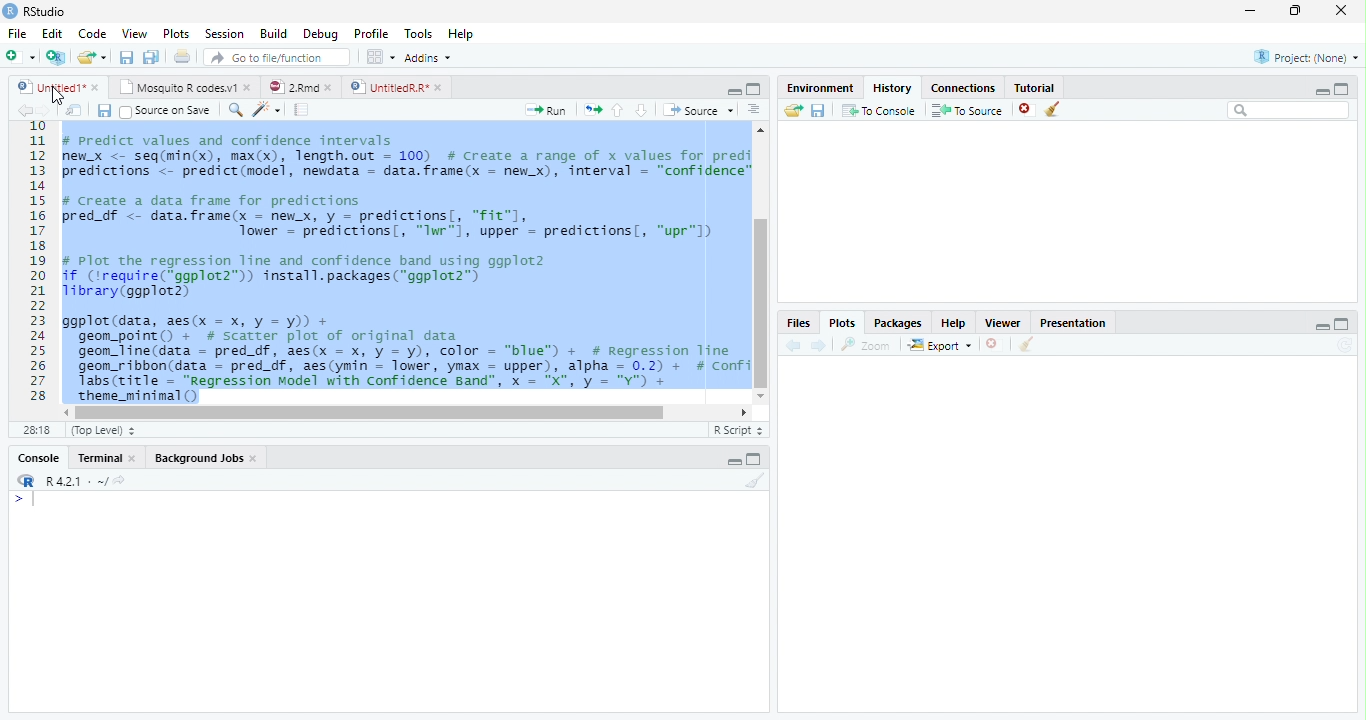  What do you see at coordinates (93, 34) in the screenshot?
I see `Code` at bounding box center [93, 34].